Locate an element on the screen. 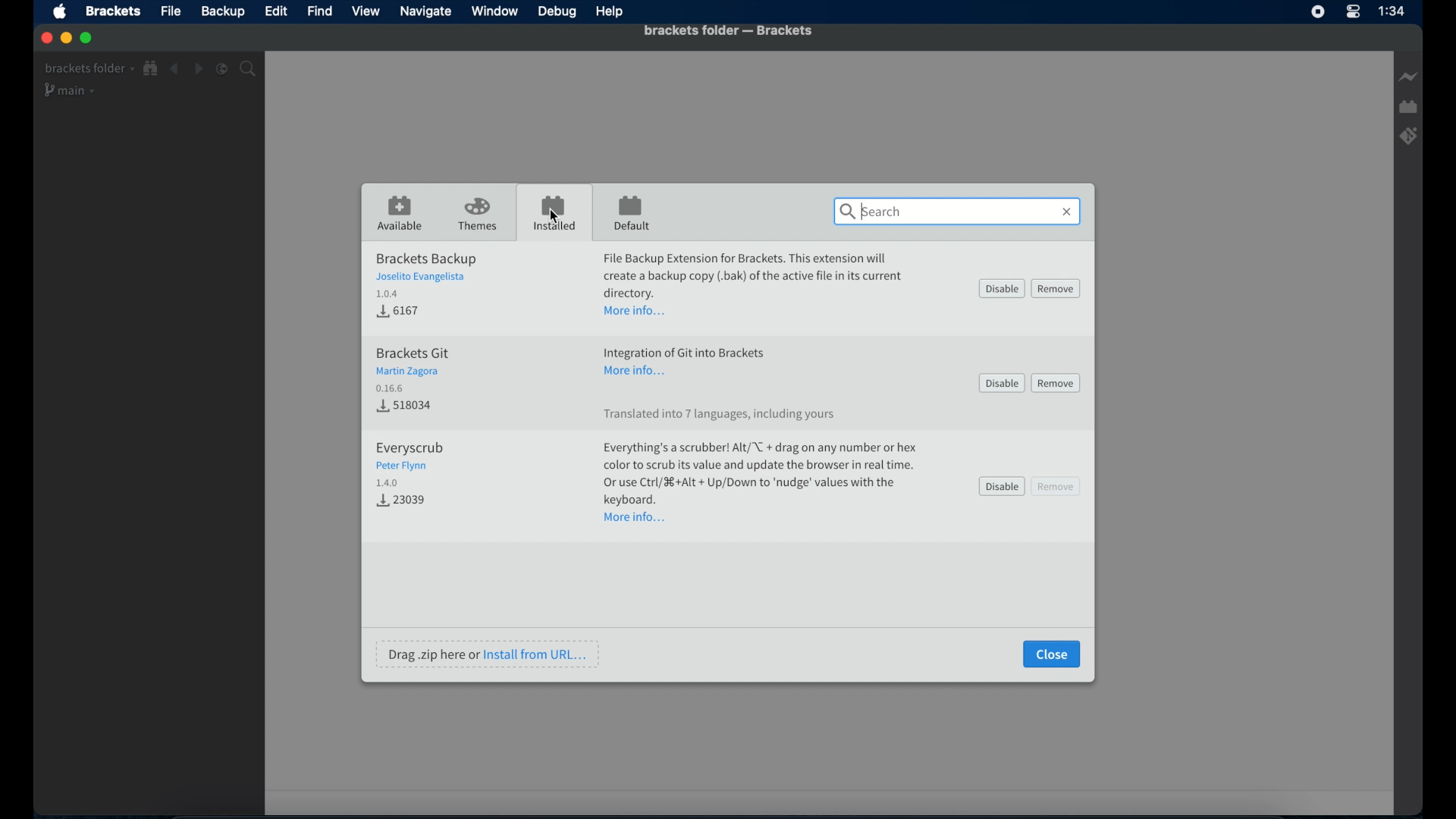  Download is located at coordinates (406, 312).